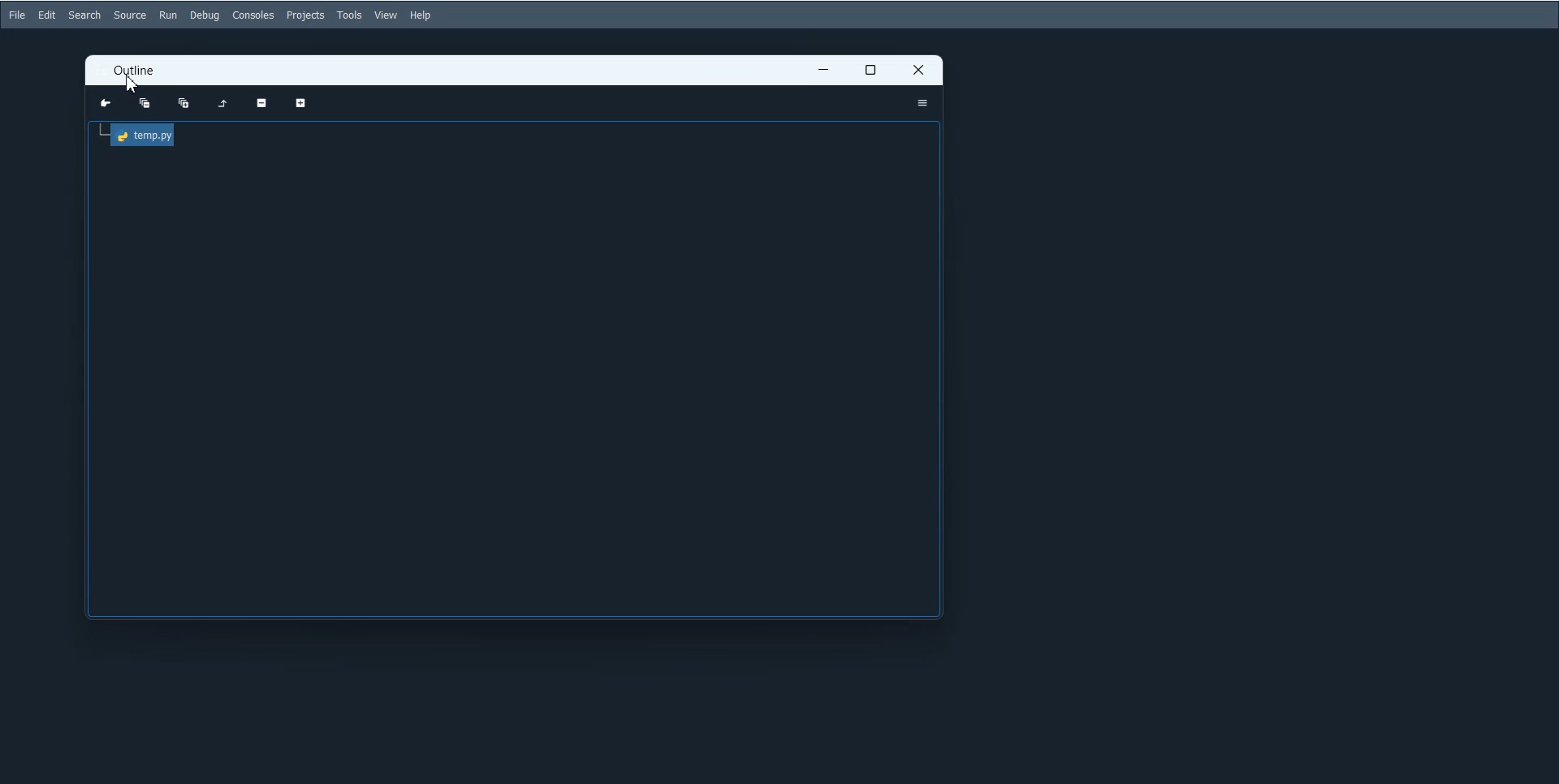  What do you see at coordinates (132, 86) in the screenshot?
I see `cursor` at bounding box center [132, 86].